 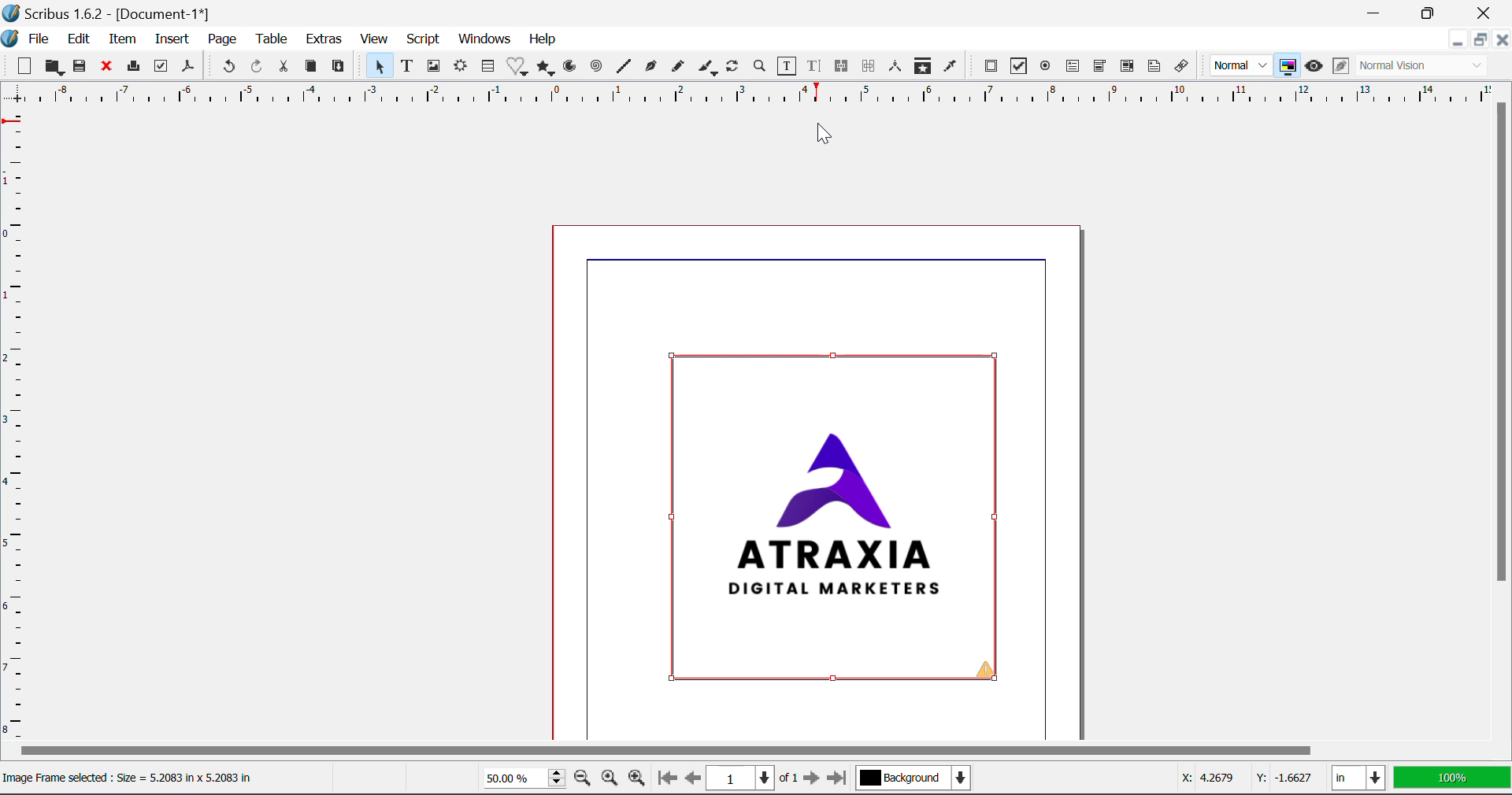 I want to click on Copy, so click(x=310, y=67).